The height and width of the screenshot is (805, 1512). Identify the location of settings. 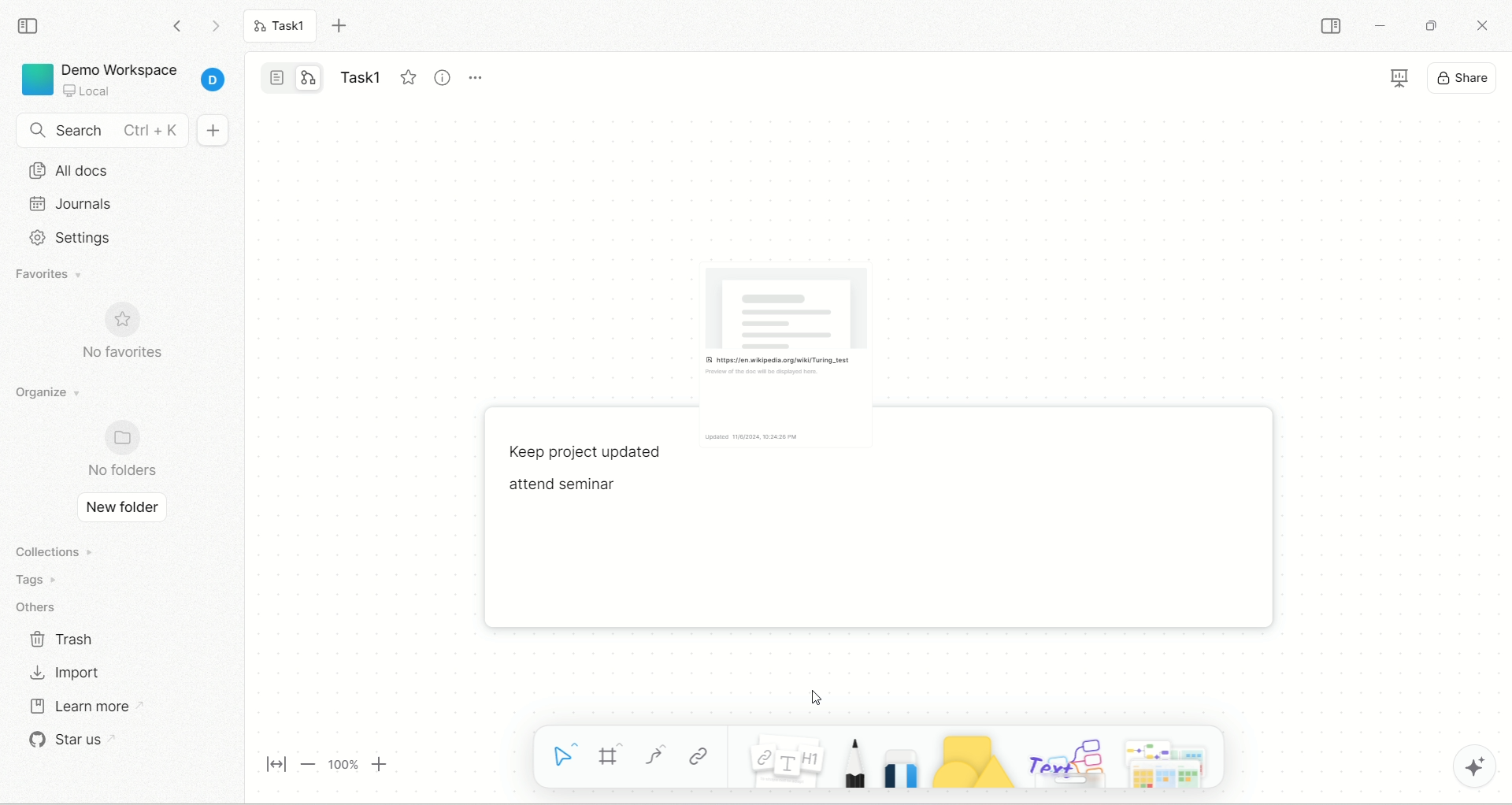
(109, 236).